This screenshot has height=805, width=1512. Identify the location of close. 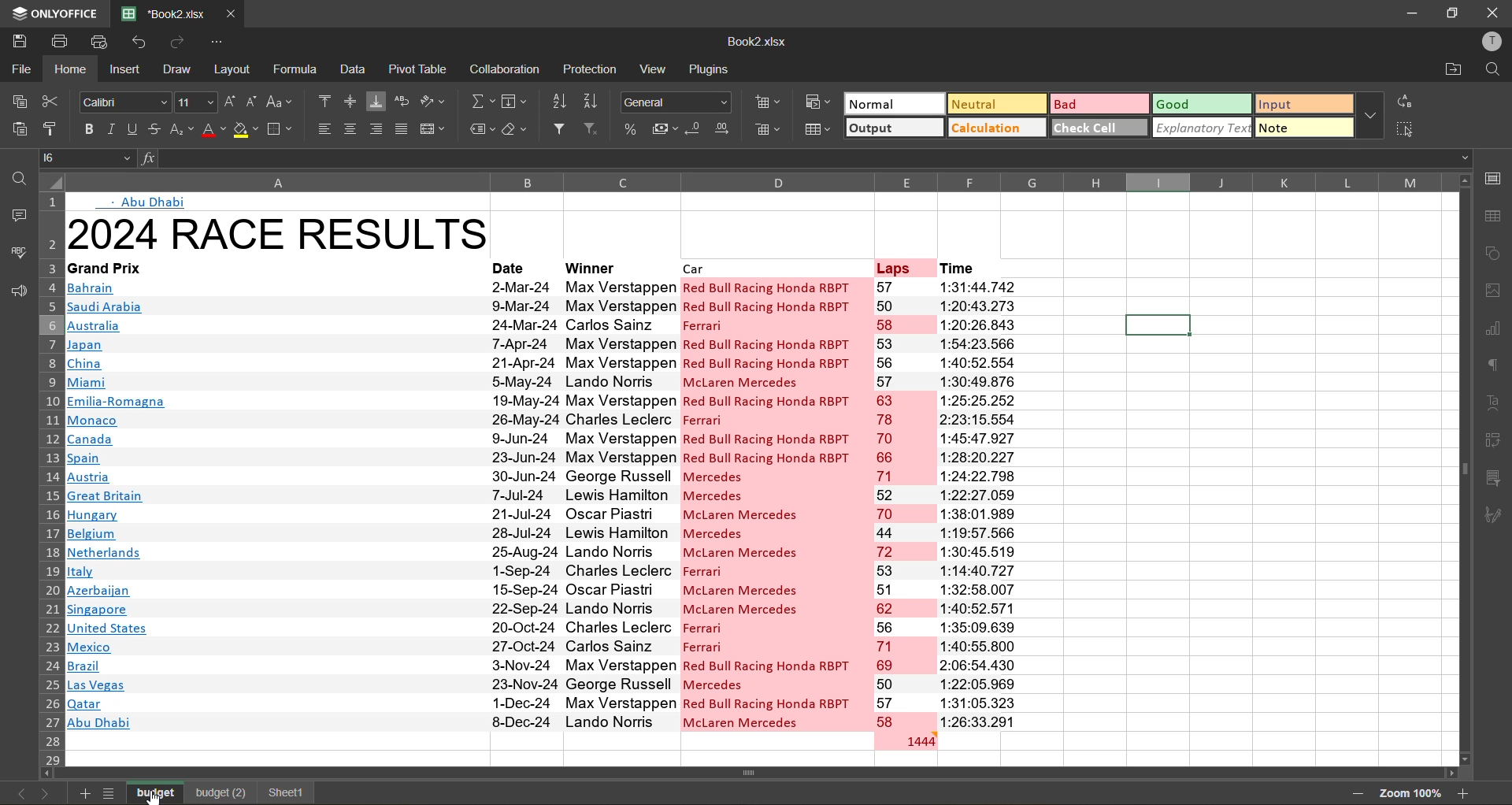
(1493, 13).